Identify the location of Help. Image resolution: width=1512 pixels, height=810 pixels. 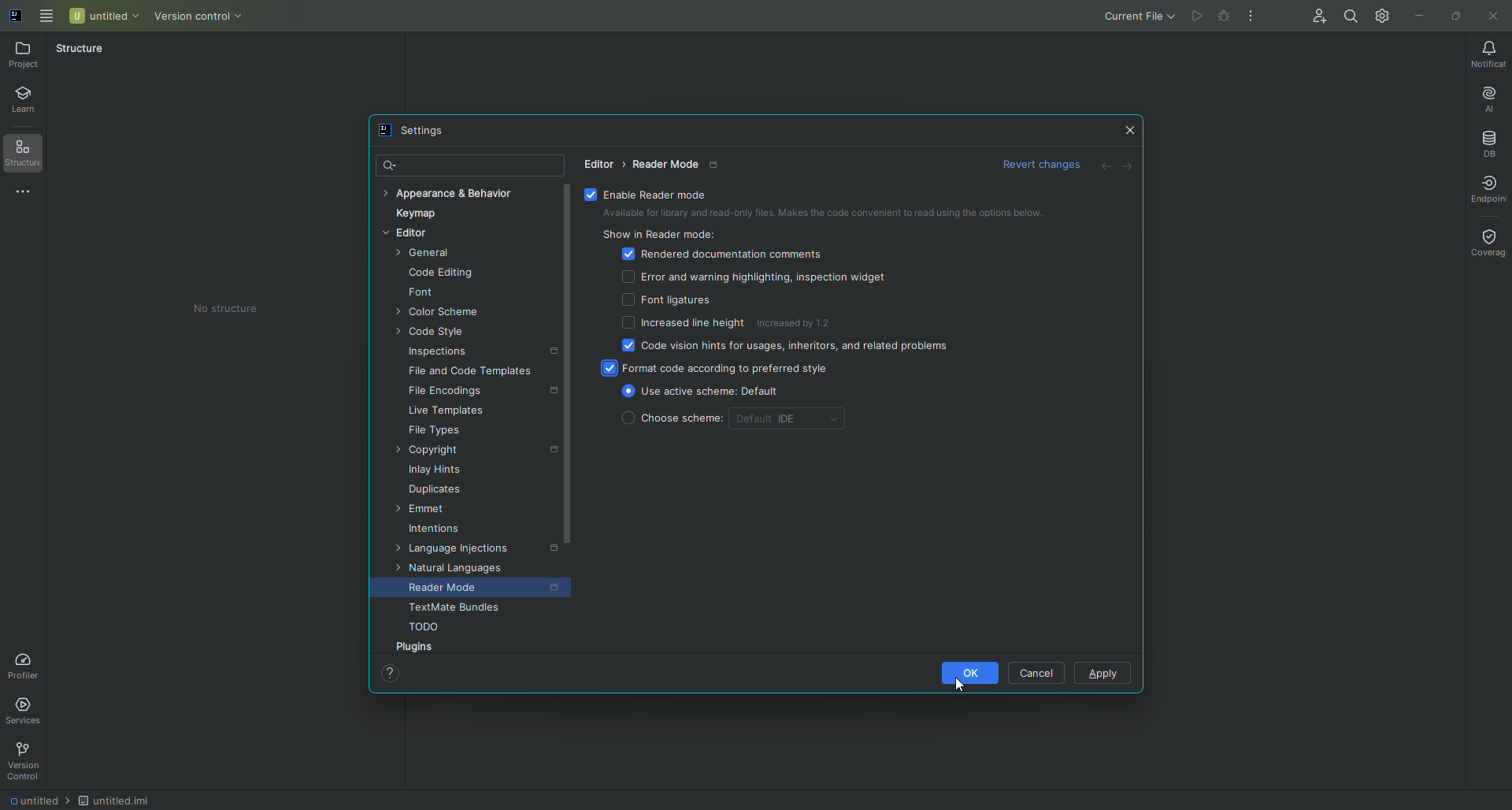
(387, 675).